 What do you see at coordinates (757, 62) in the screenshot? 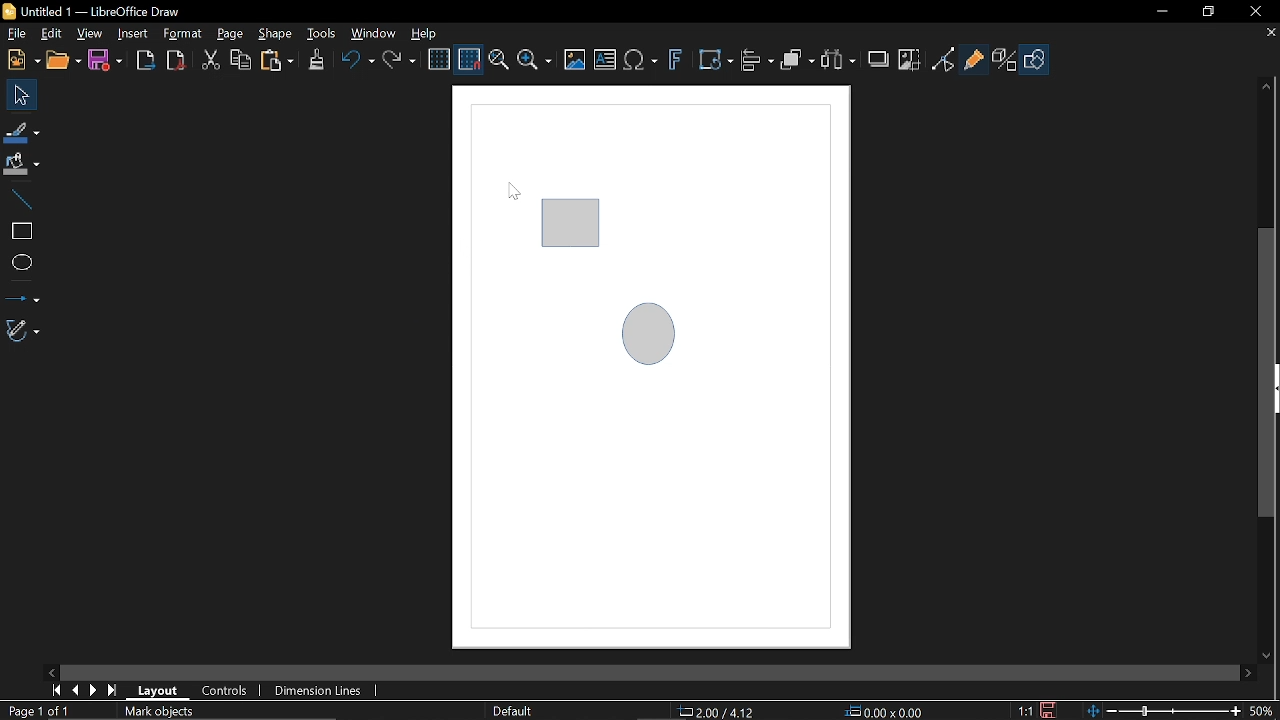
I see `Align` at bounding box center [757, 62].